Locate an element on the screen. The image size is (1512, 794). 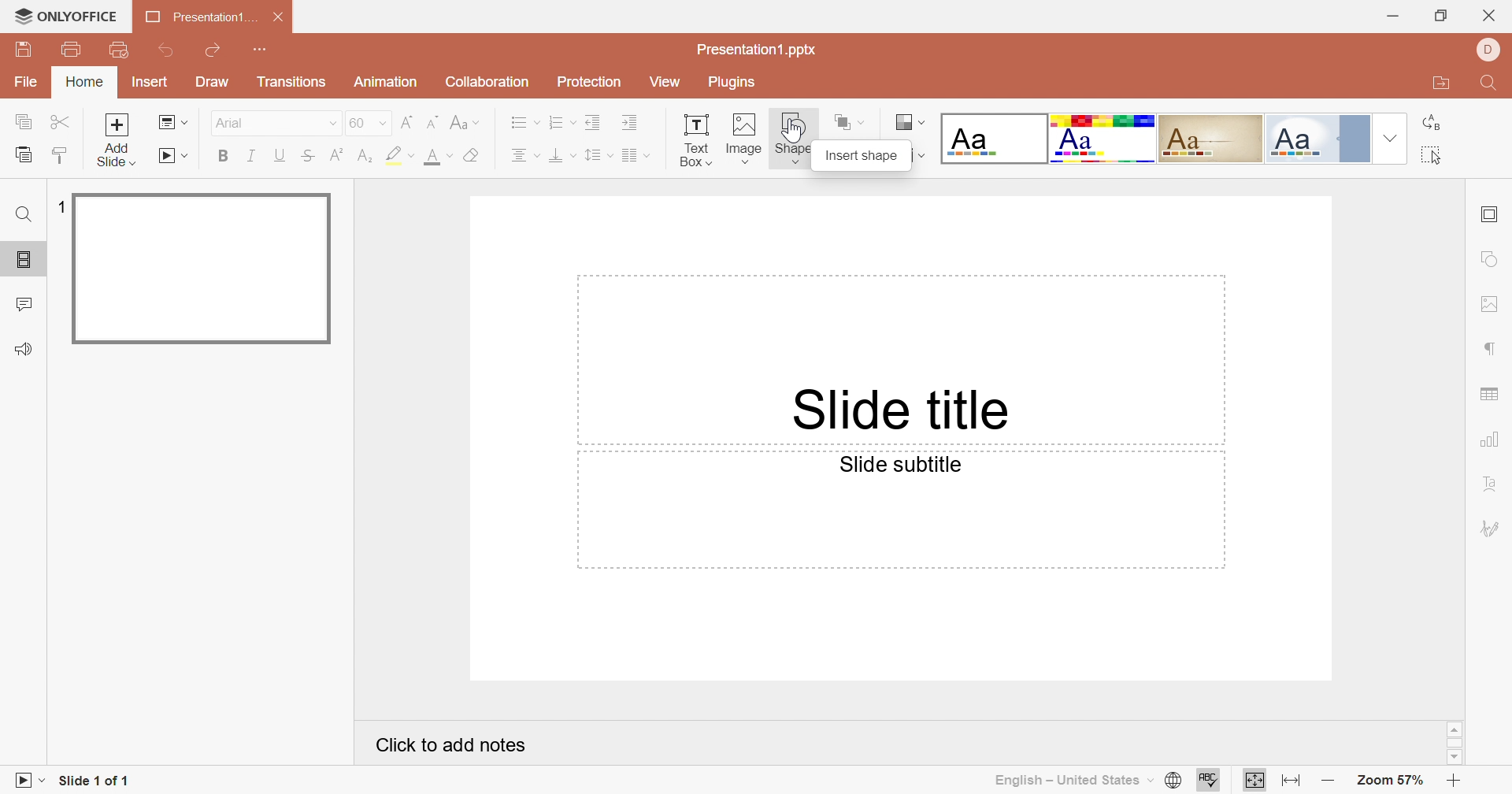
Numbering is located at coordinates (558, 121).